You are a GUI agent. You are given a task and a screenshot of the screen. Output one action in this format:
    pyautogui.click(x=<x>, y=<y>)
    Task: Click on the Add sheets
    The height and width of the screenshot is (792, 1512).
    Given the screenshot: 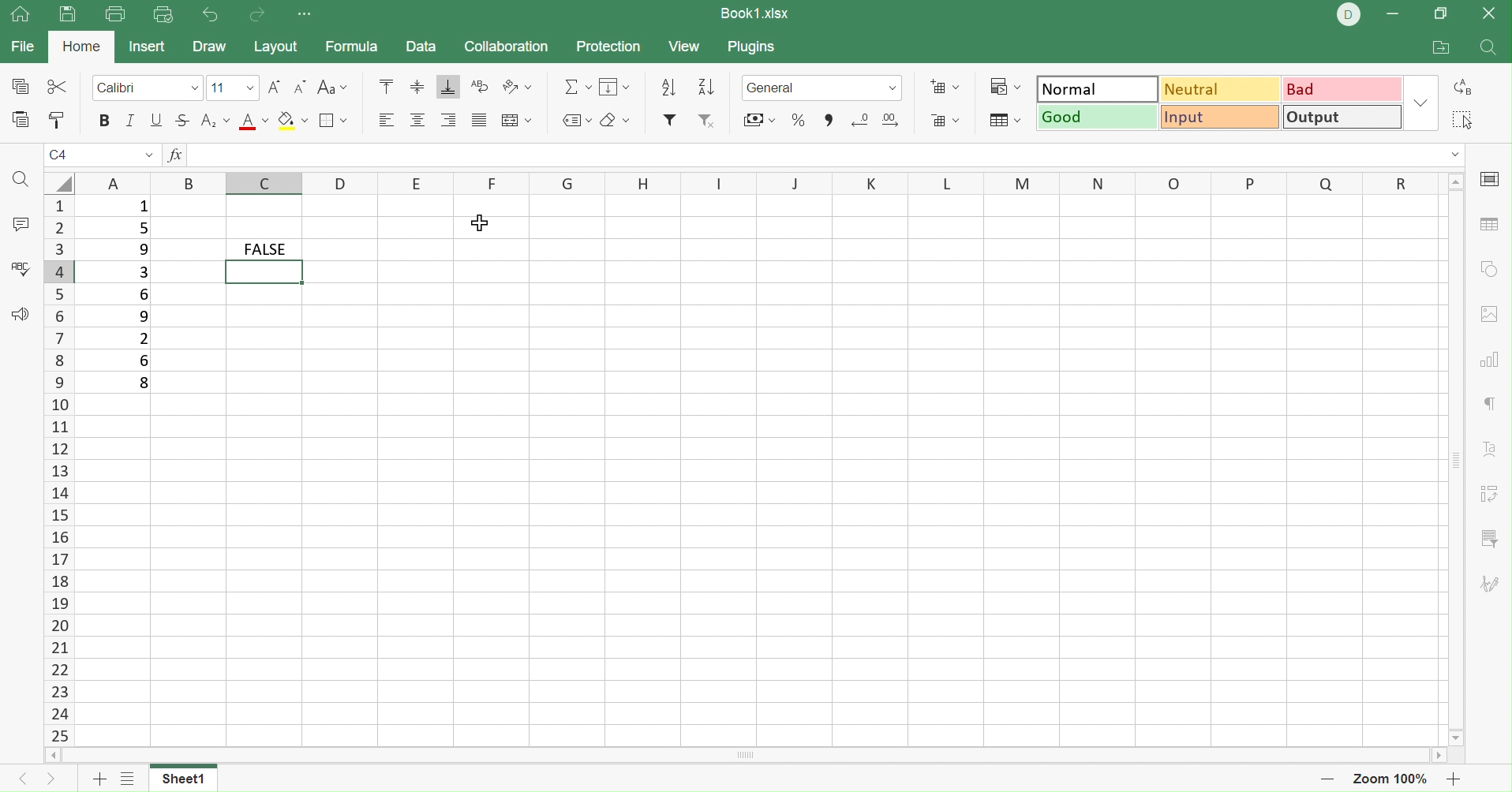 What is the action you would take?
    pyautogui.click(x=129, y=779)
    